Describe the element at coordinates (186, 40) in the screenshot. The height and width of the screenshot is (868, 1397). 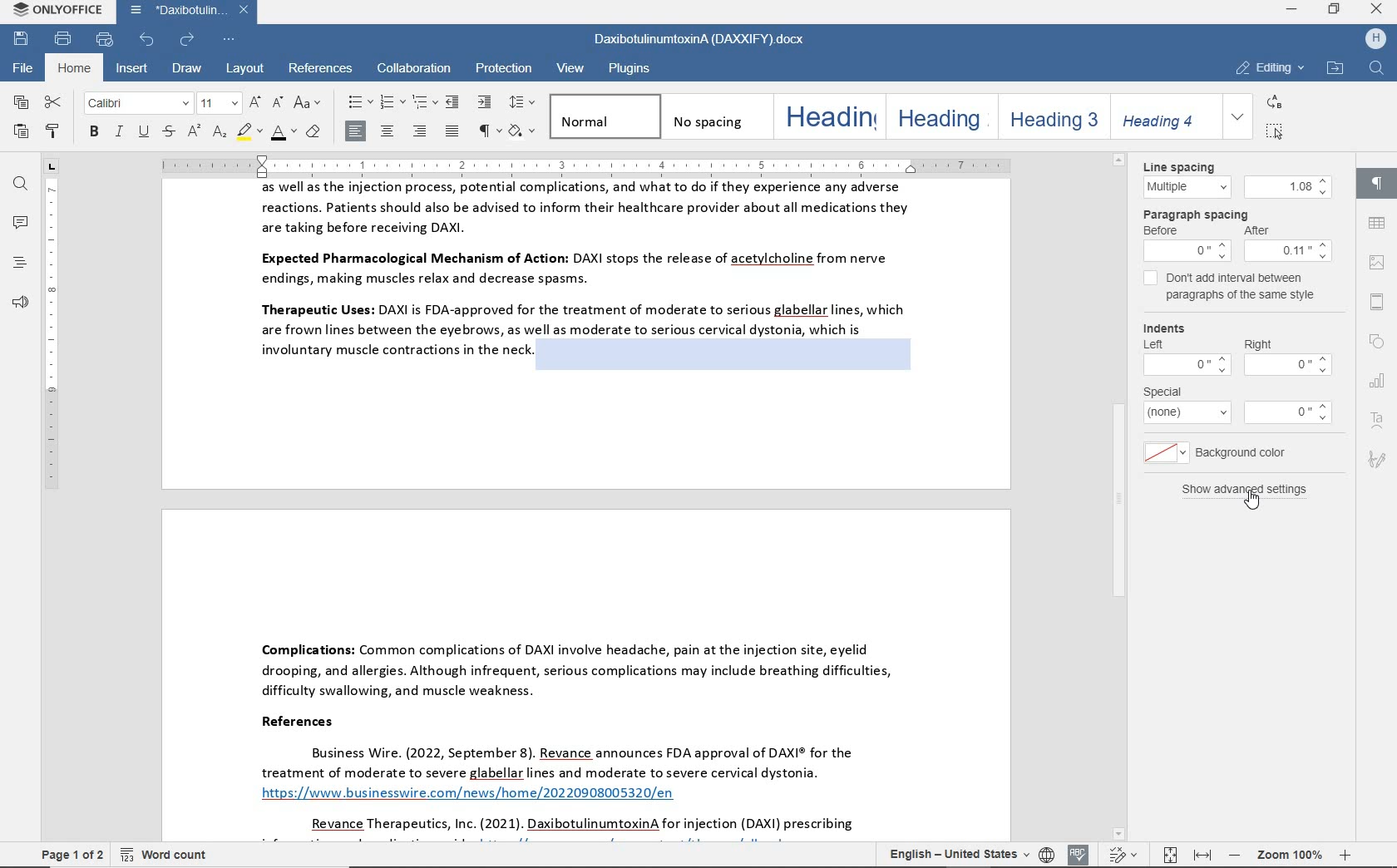
I see `redo` at that location.